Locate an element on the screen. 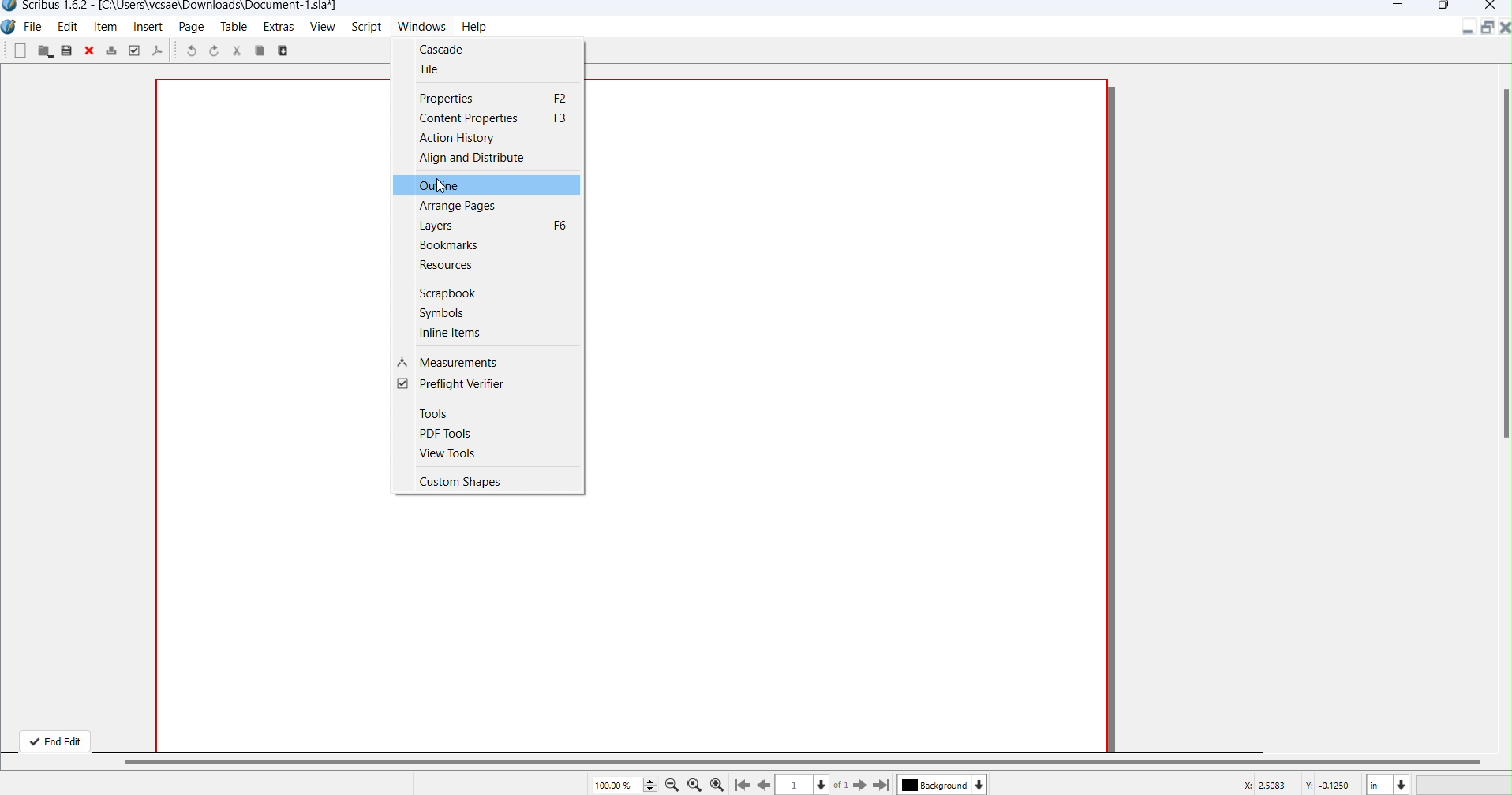  Arrange Pages is located at coordinates (461, 208).